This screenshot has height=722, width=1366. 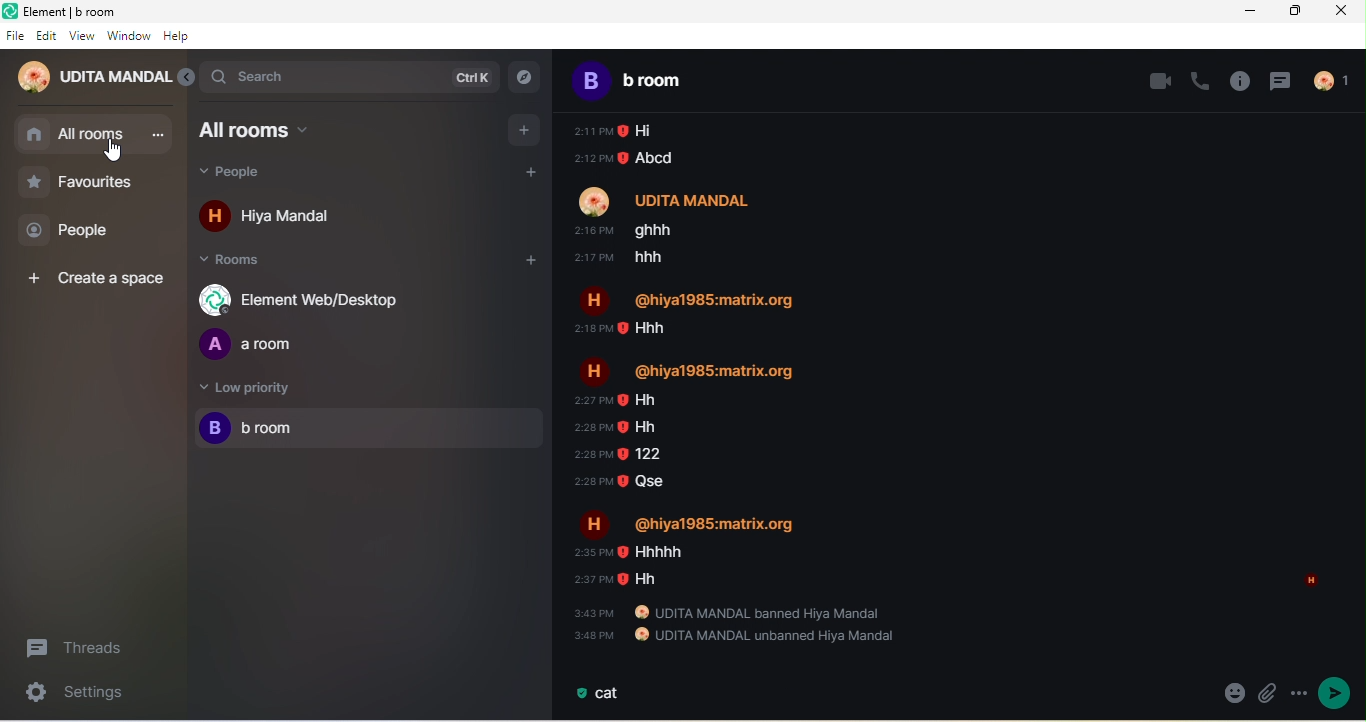 What do you see at coordinates (1347, 15) in the screenshot?
I see `close` at bounding box center [1347, 15].